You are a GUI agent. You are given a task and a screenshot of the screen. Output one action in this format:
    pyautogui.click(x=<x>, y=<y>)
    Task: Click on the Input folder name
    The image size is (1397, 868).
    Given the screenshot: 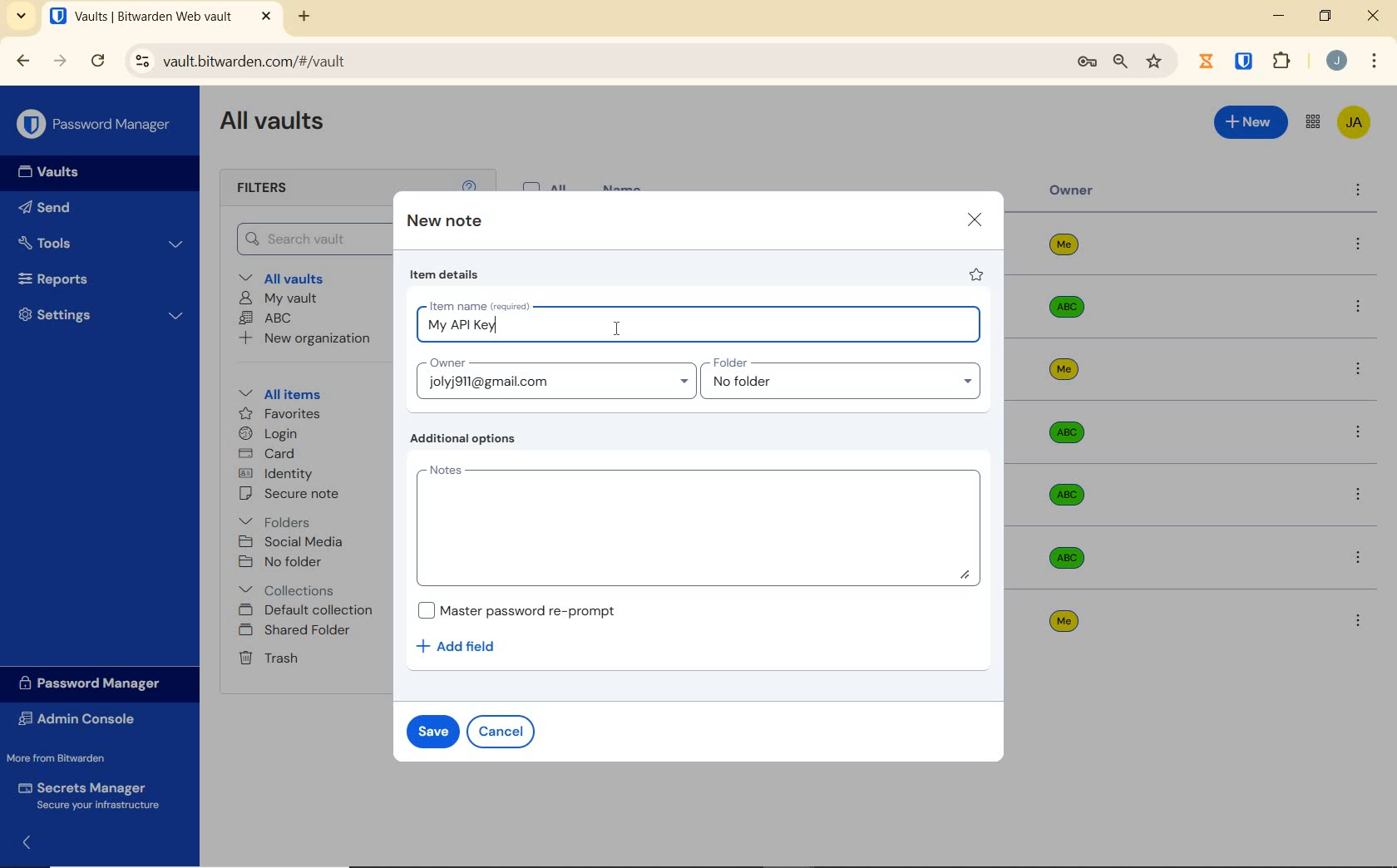 What is the action you would take?
    pyautogui.click(x=844, y=379)
    